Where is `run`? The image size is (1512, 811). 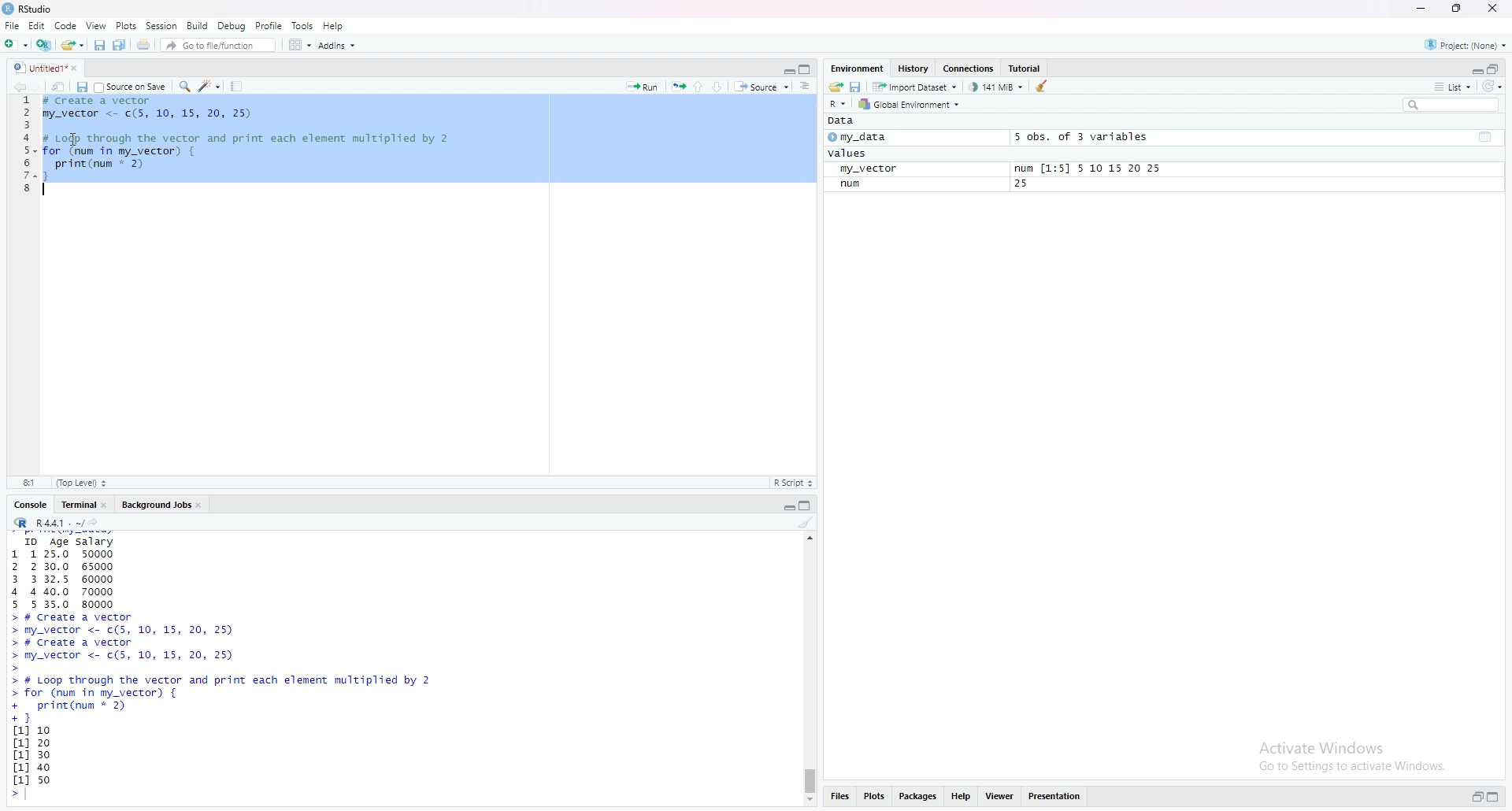
run is located at coordinates (854, 185).